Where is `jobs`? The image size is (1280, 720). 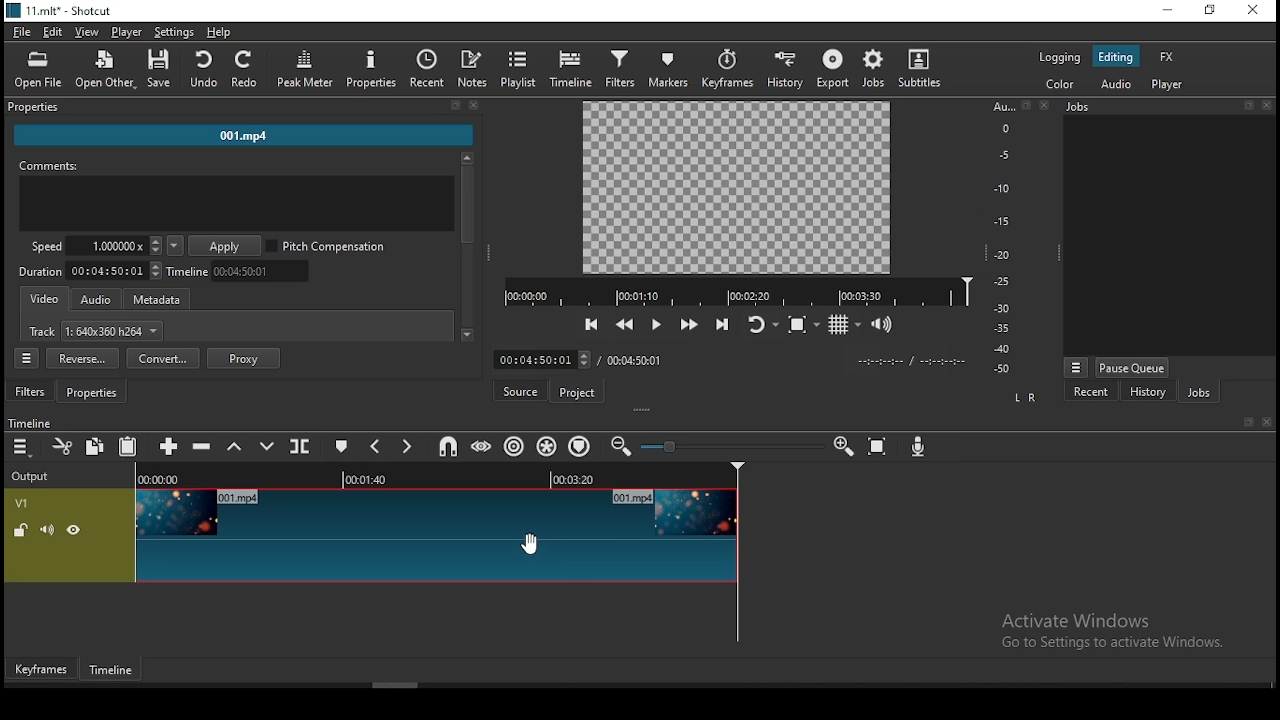 jobs is located at coordinates (872, 69).